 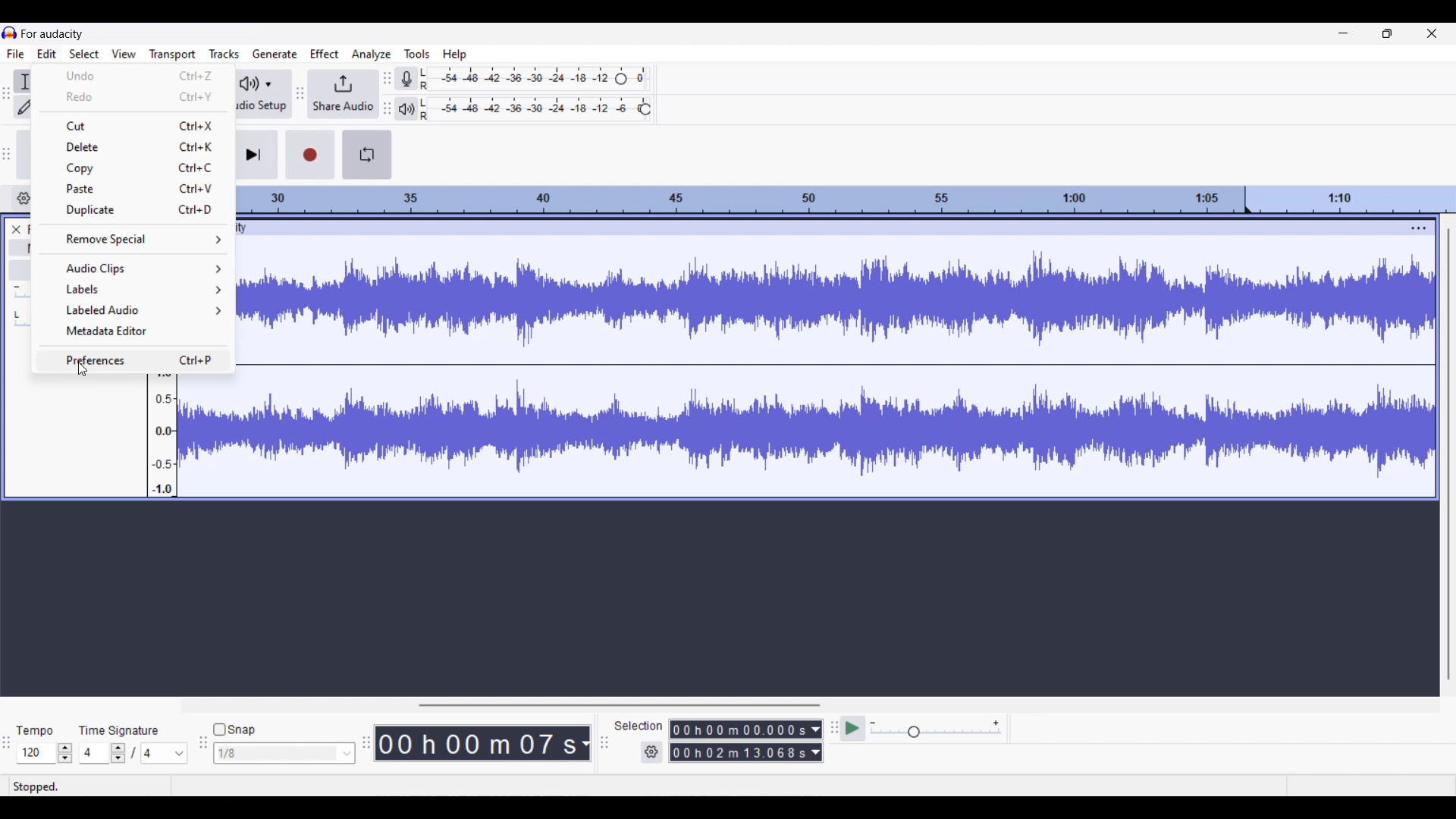 What do you see at coordinates (343, 95) in the screenshot?
I see `Share audio` at bounding box center [343, 95].